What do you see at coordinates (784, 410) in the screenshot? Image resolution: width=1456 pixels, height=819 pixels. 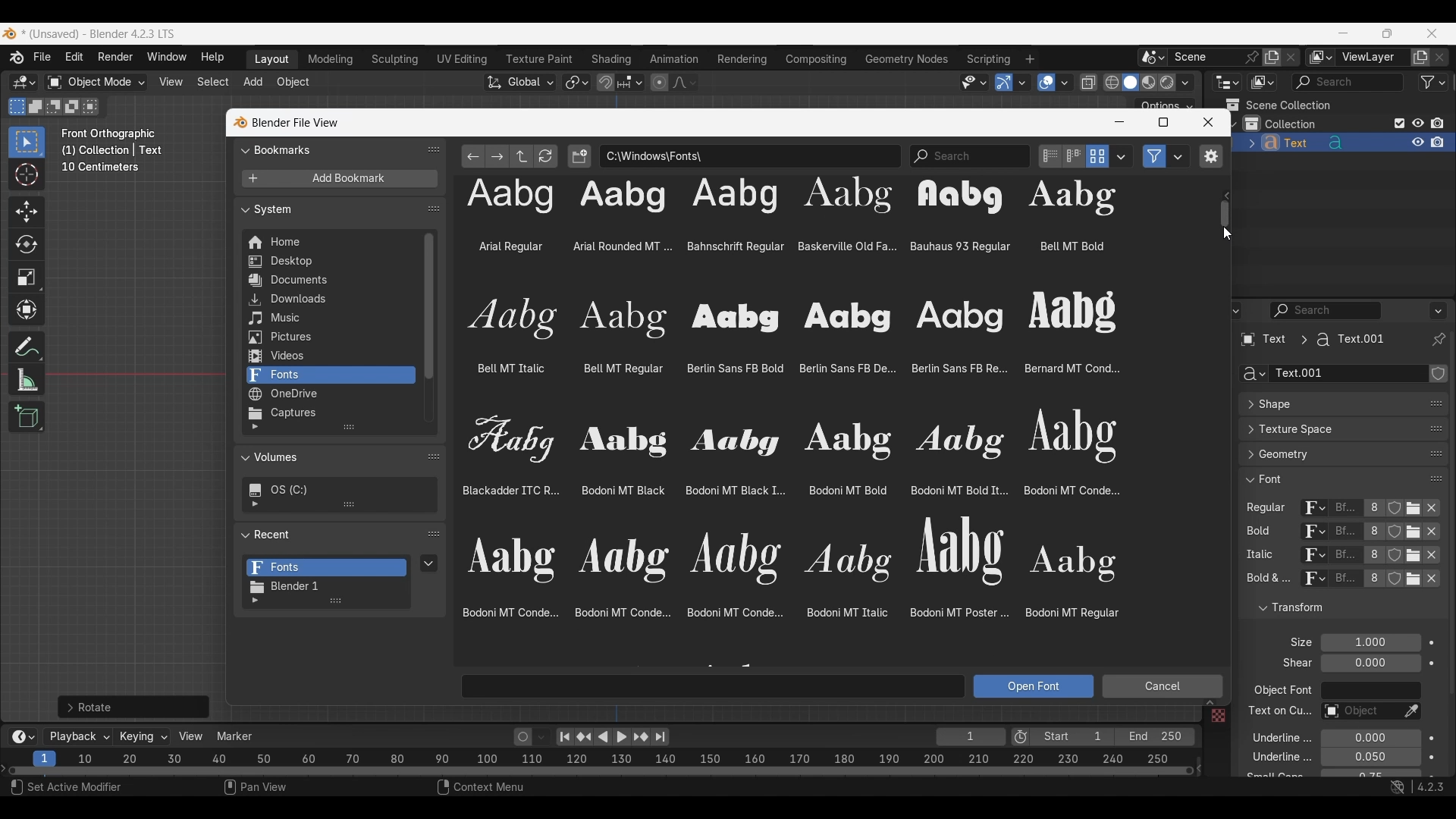 I see `Font options` at bounding box center [784, 410].